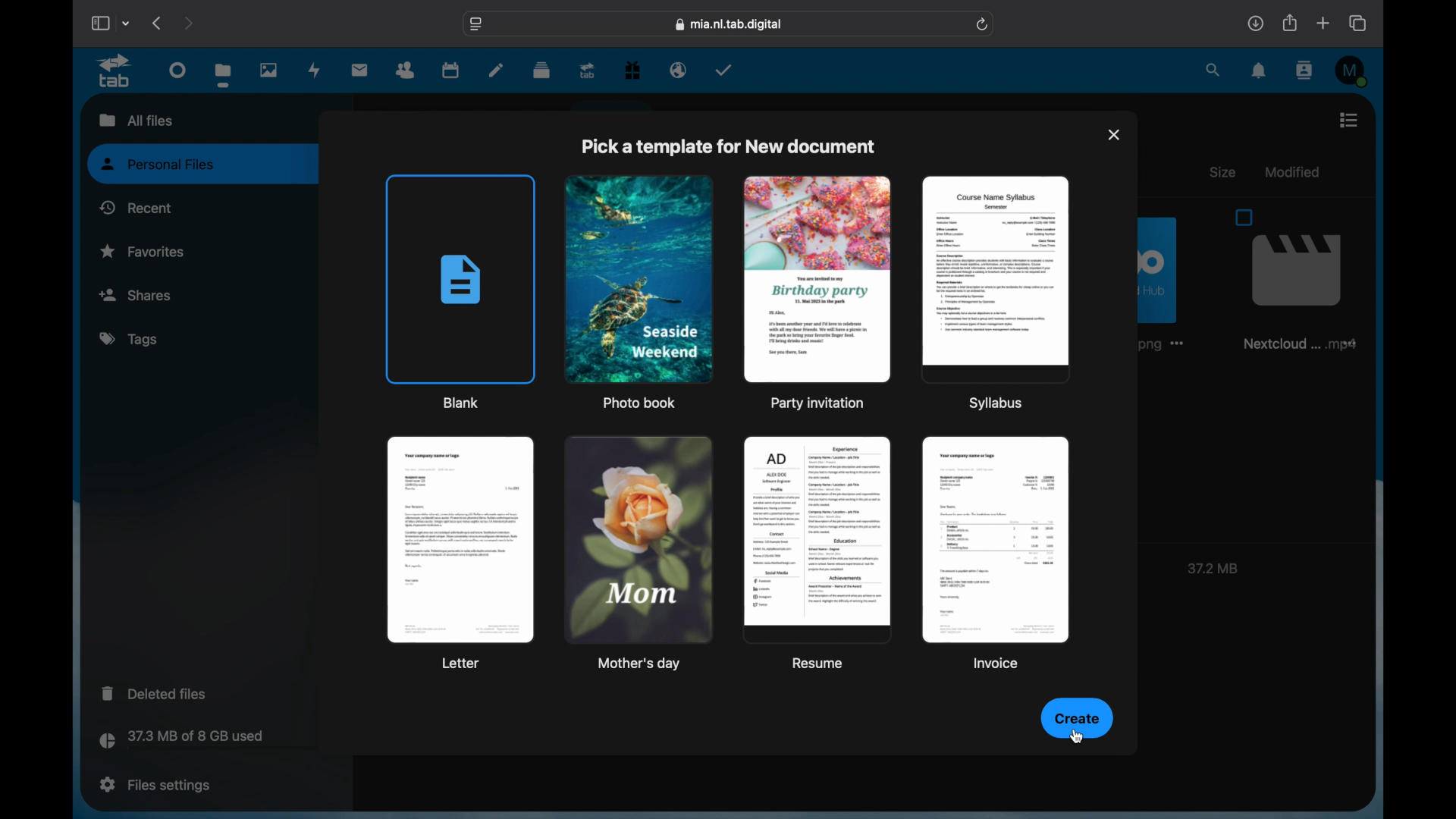  Describe the element at coordinates (1255, 23) in the screenshot. I see `downloads` at that location.